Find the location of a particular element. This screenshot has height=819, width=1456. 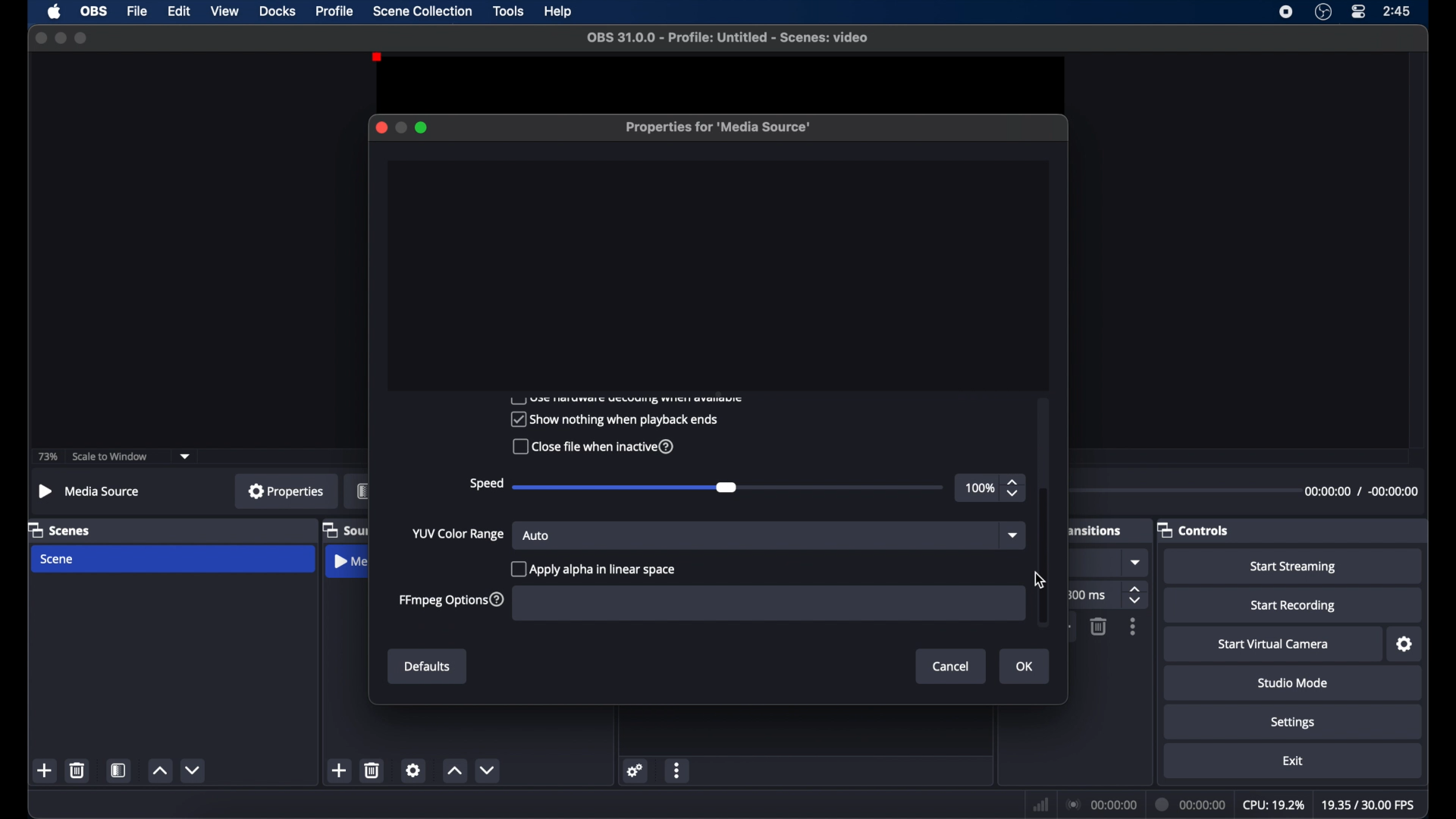

scene filters is located at coordinates (119, 770).